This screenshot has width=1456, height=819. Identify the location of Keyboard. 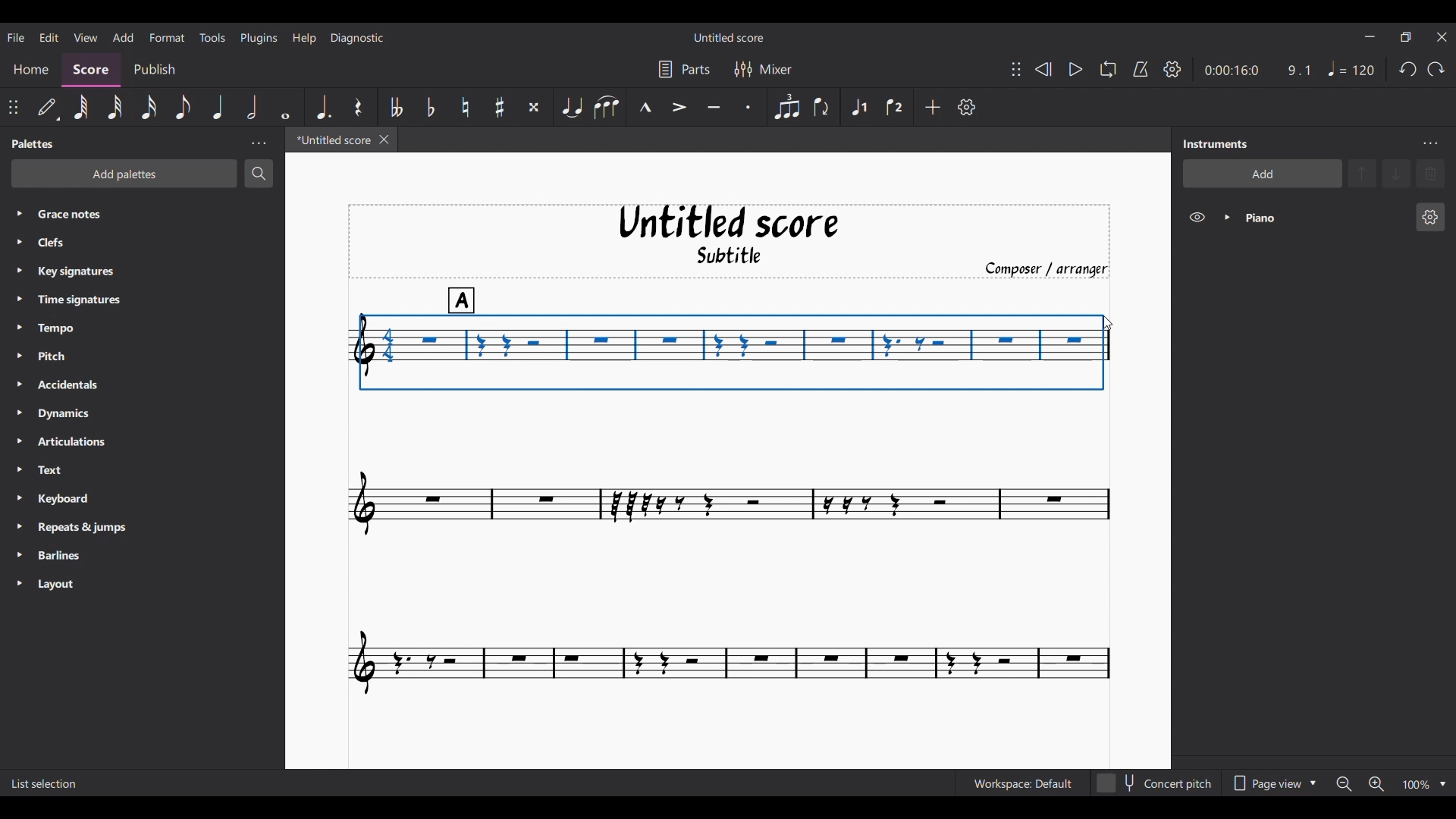
(82, 500).